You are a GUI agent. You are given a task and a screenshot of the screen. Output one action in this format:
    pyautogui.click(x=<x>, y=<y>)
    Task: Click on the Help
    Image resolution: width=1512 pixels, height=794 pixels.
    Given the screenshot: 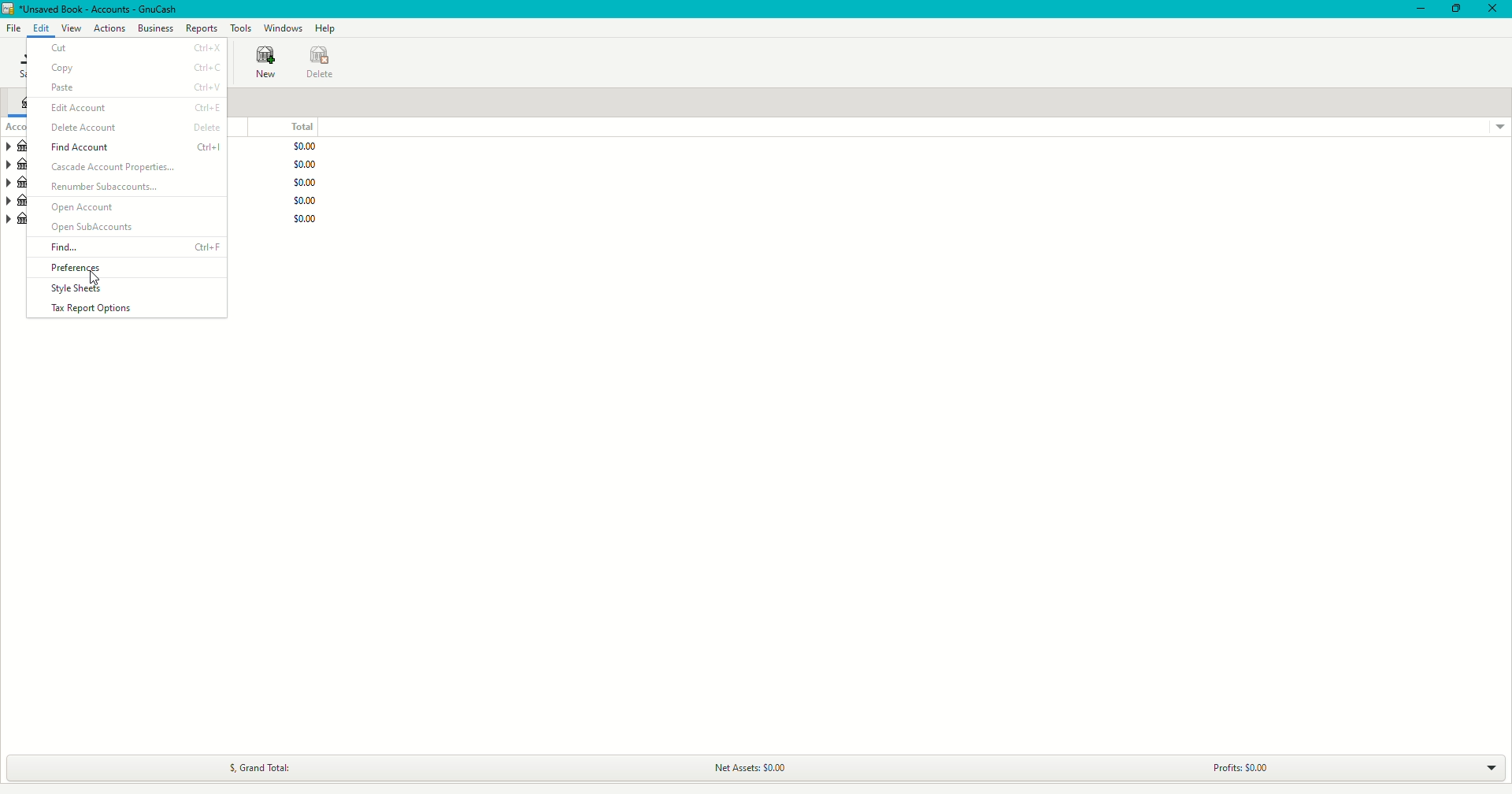 What is the action you would take?
    pyautogui.click(x=327, y=28)
    